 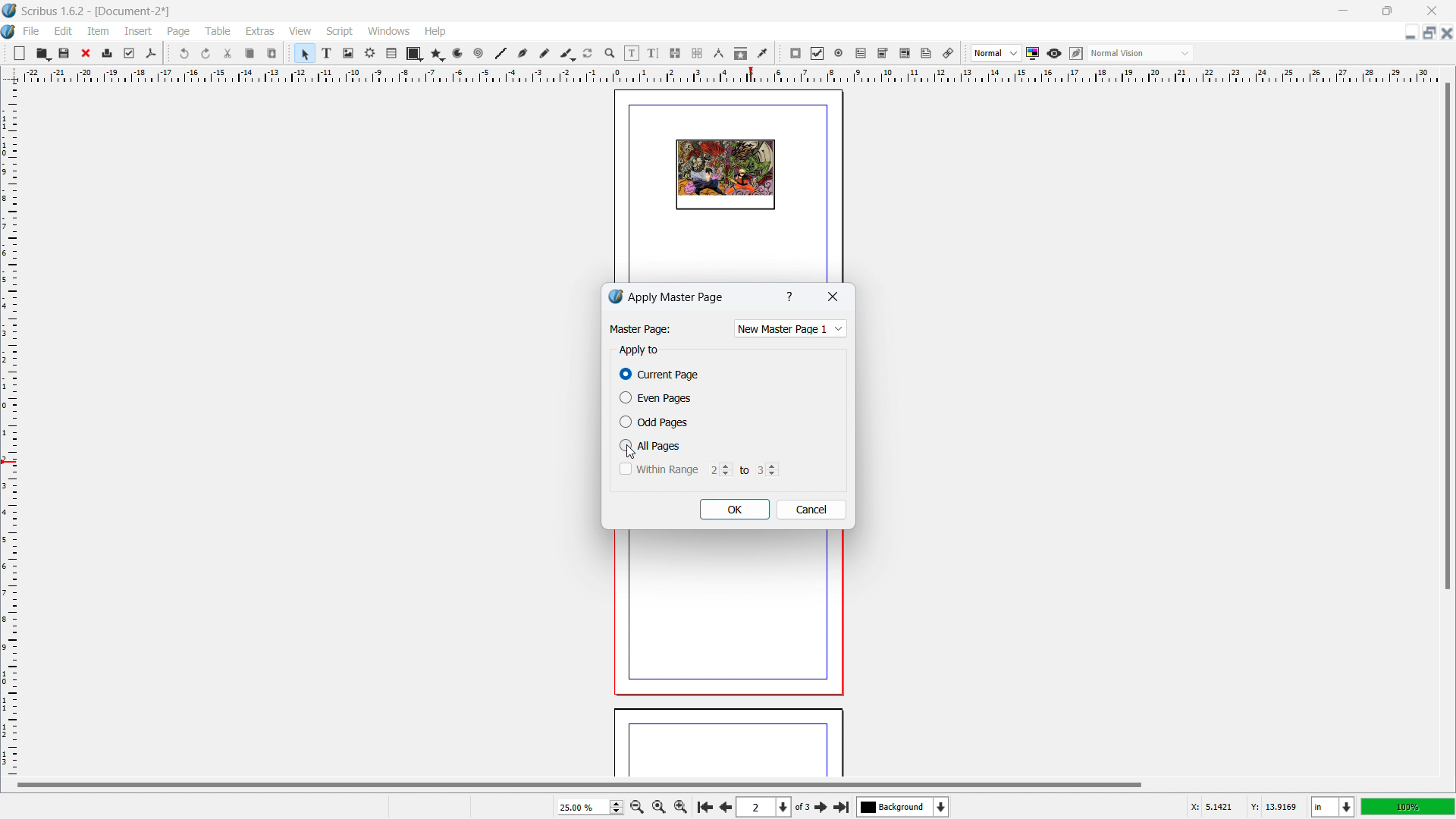 I want to click on table, so click(x=218, y=31).